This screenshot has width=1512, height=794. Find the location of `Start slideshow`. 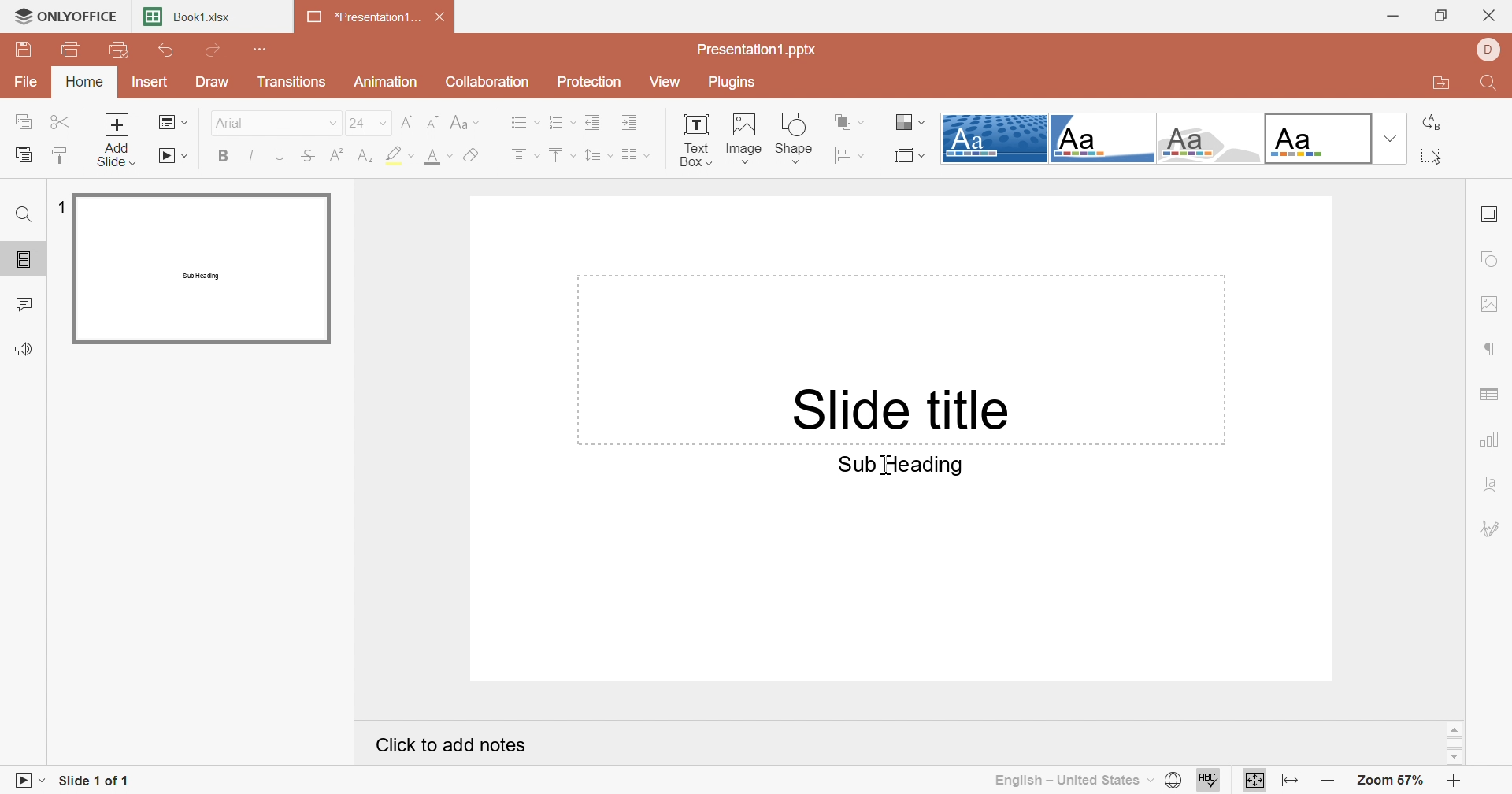

Start slideshow is located at coordinates (28, 779).